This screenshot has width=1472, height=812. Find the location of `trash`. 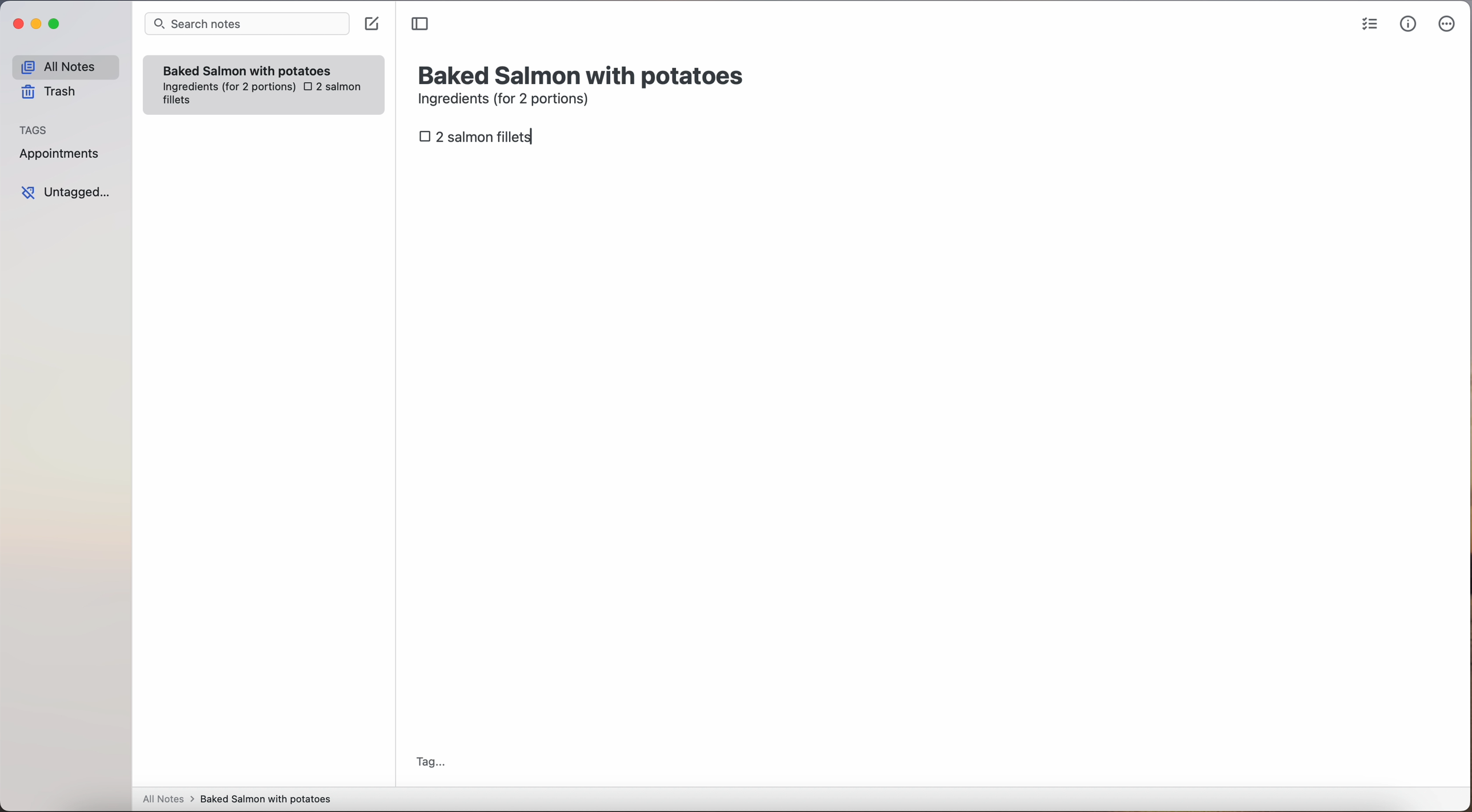

trash is located at coordinates (53, 92).